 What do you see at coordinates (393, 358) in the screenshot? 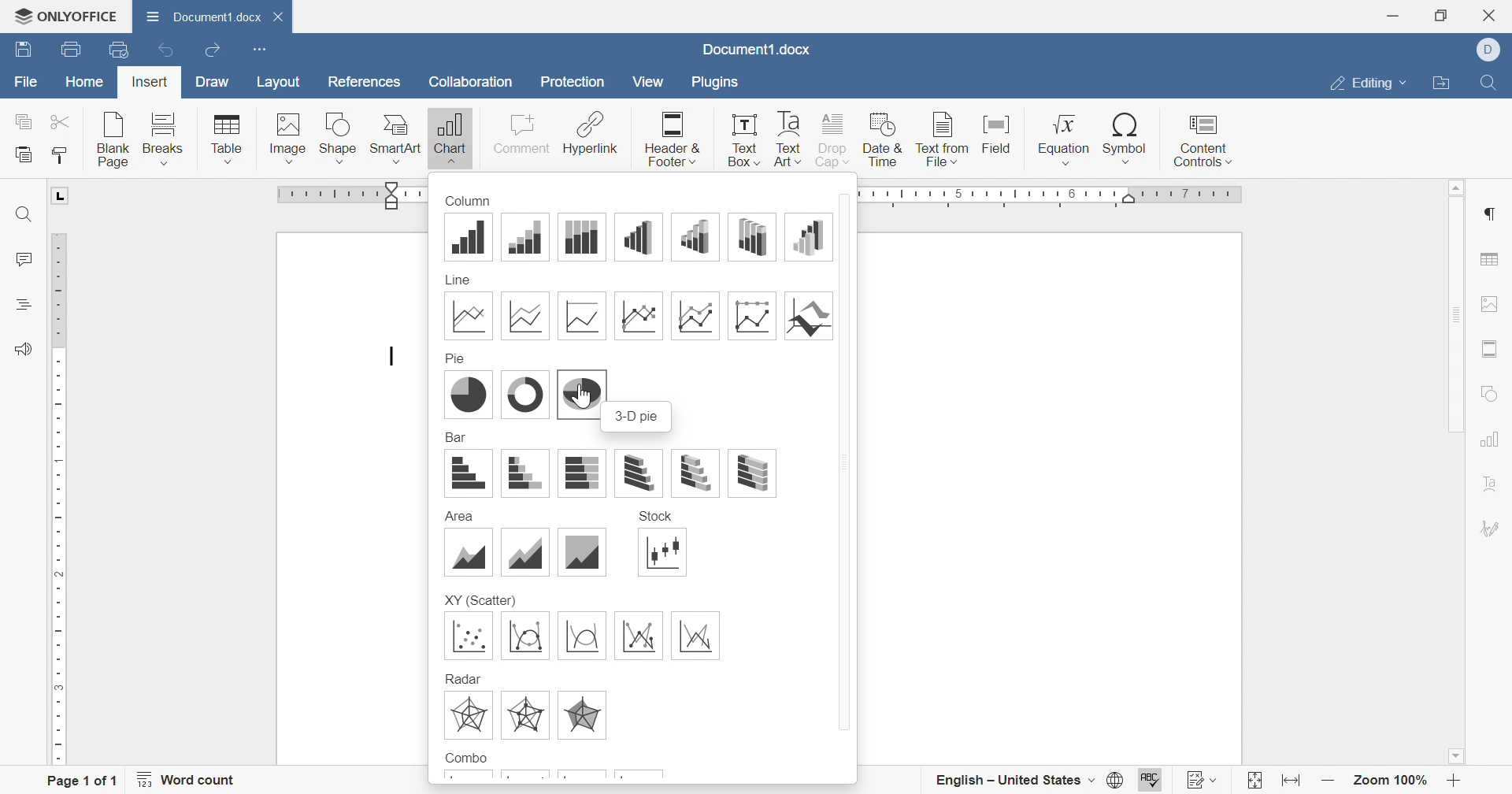
I see `Typing cursor` at bounding box center [393, 358].